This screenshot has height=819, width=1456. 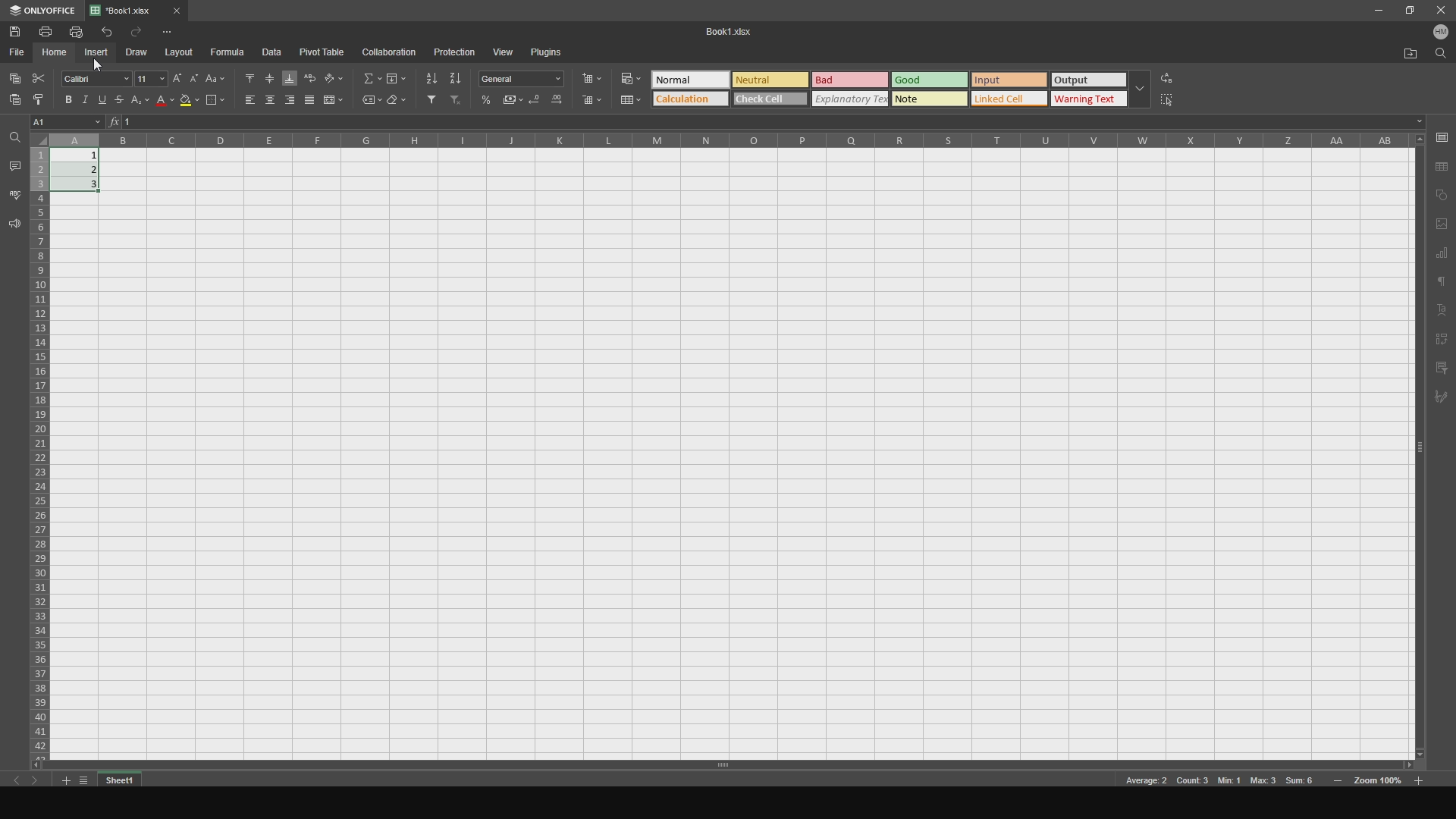 What do you see at coordinates (277, 52) in the screenshot?
I see `data` at bounding box center [277, 52].